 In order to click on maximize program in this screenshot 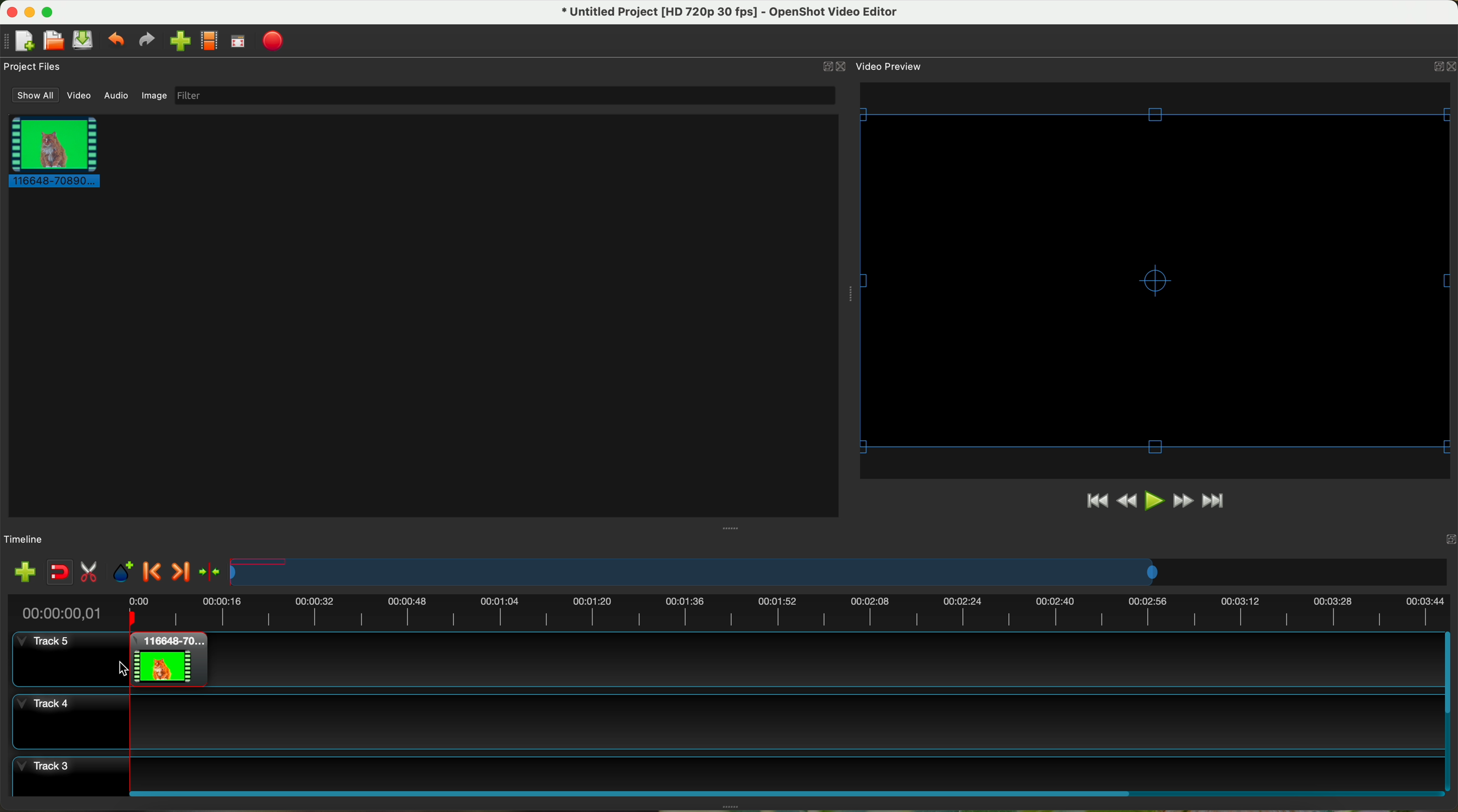, I will do `click(49, 12)`.